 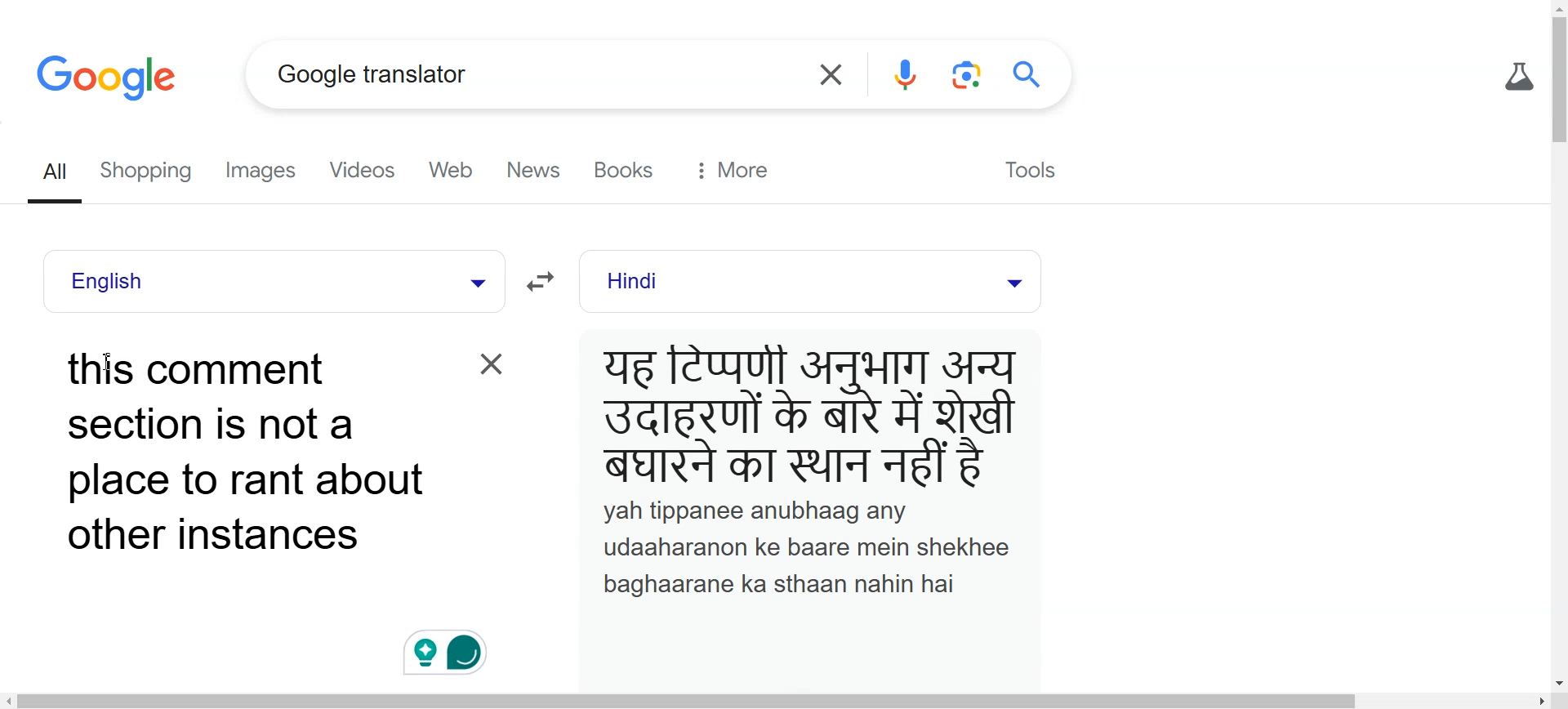 I want to click on Images, so click(x=266, y=172).